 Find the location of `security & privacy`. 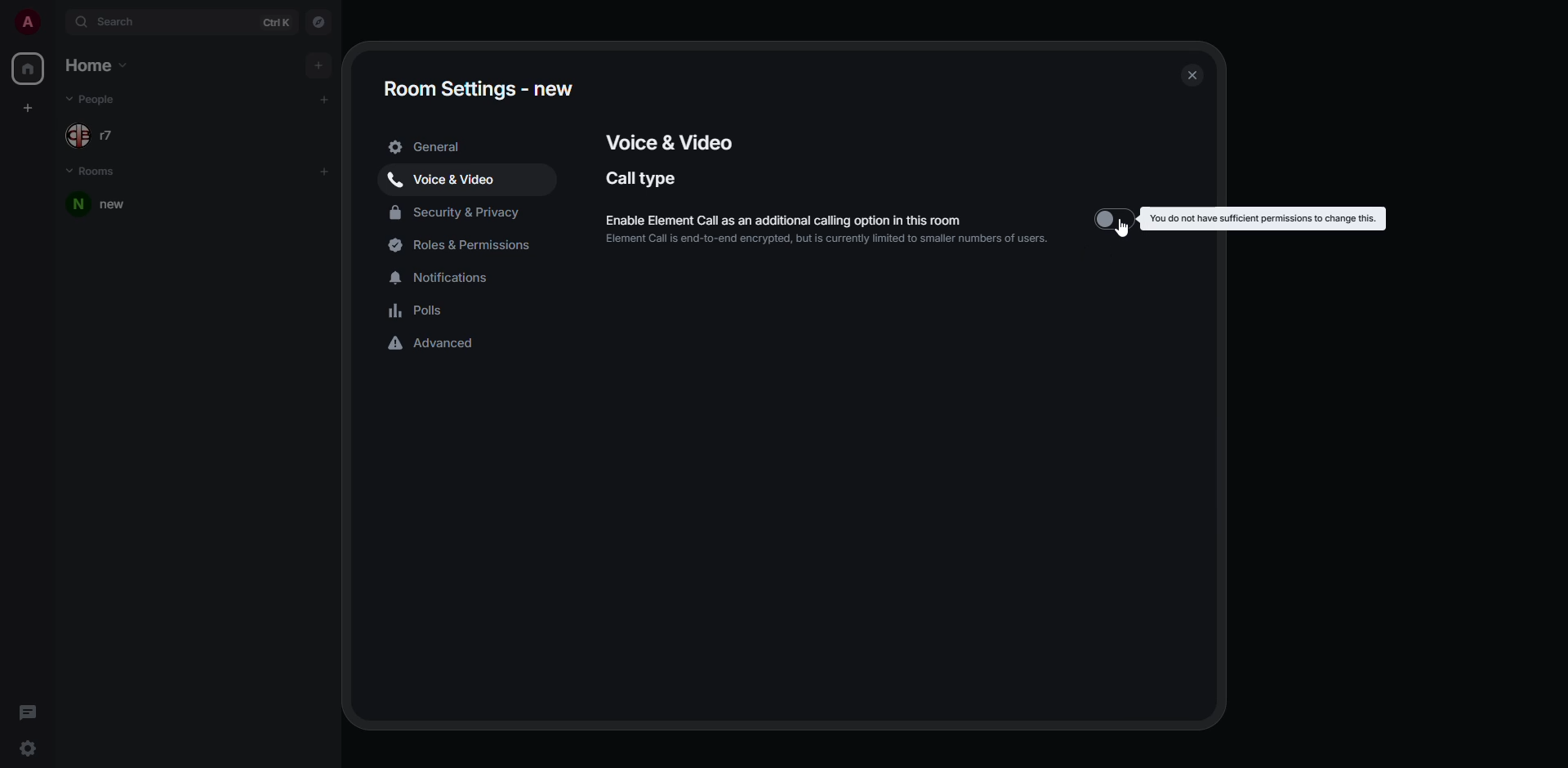

security & privacy is located at coordinates (457, 210).